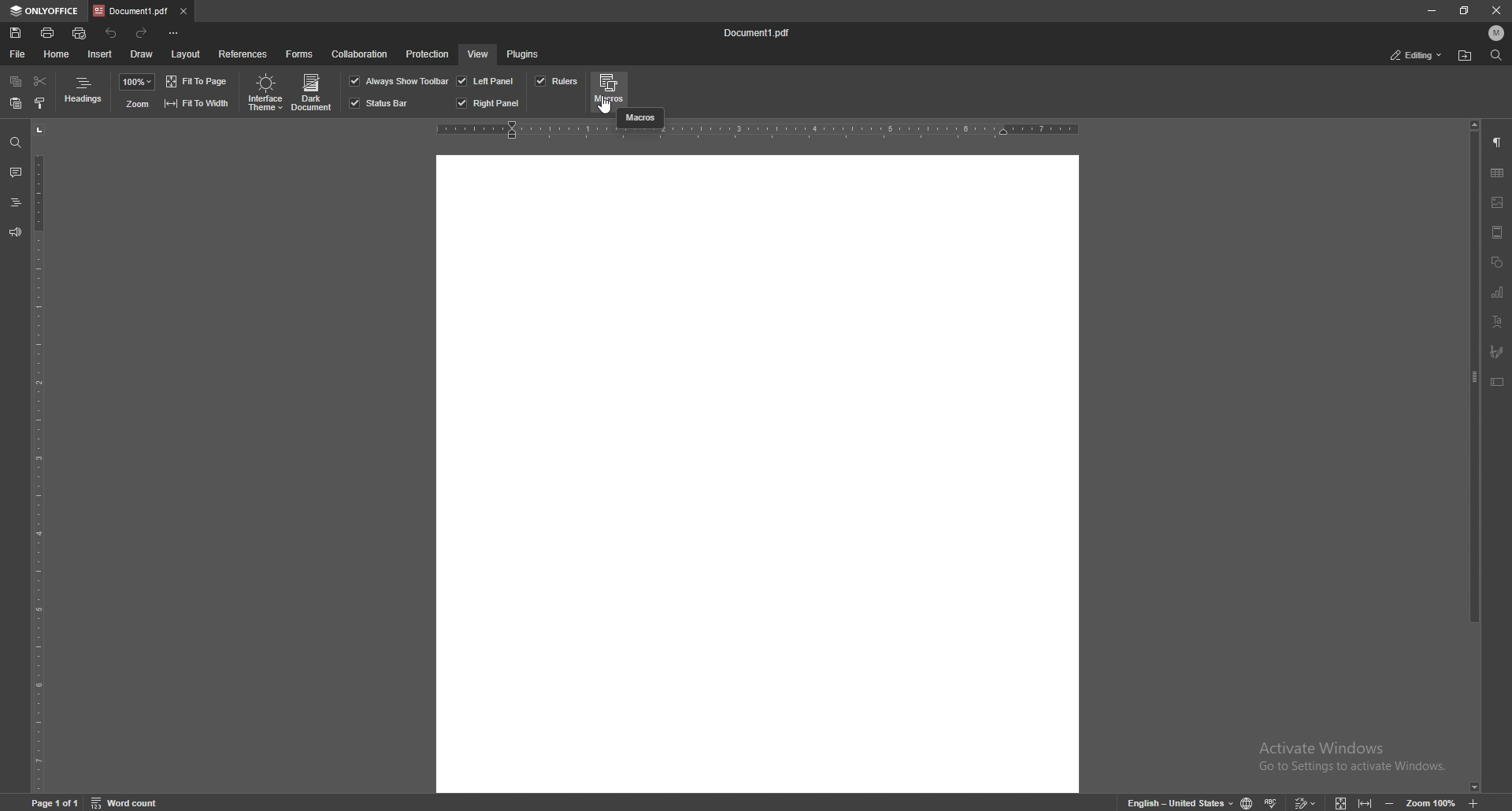 The image size is (1512, 811). I want to click on scroll bar, so click(1475, 455).